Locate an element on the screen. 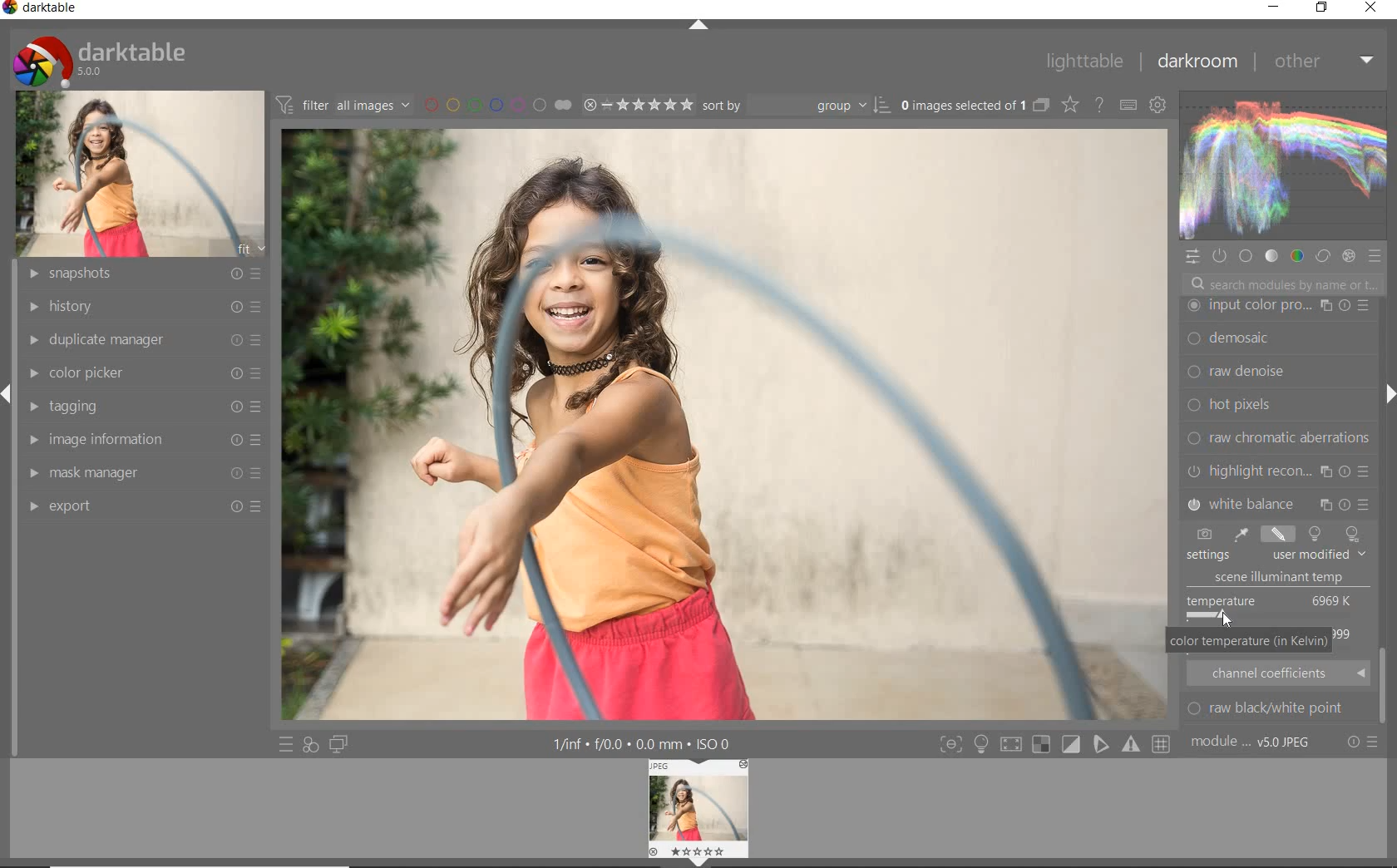 The height and width of the screenshot is (868, 1397). correct is located at coordinates (1322, 254).